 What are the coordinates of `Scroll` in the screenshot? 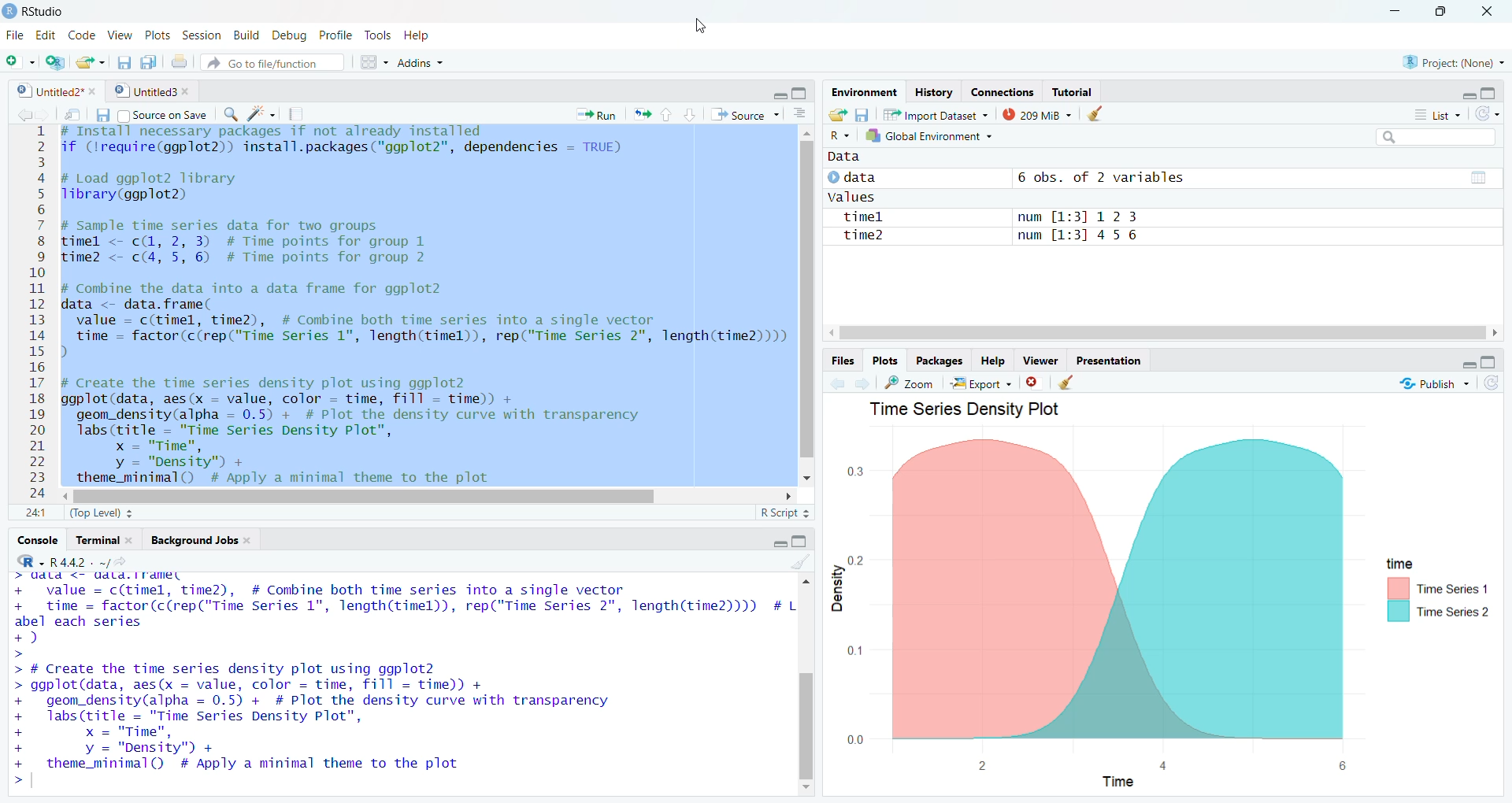 It's located at (807, 305).